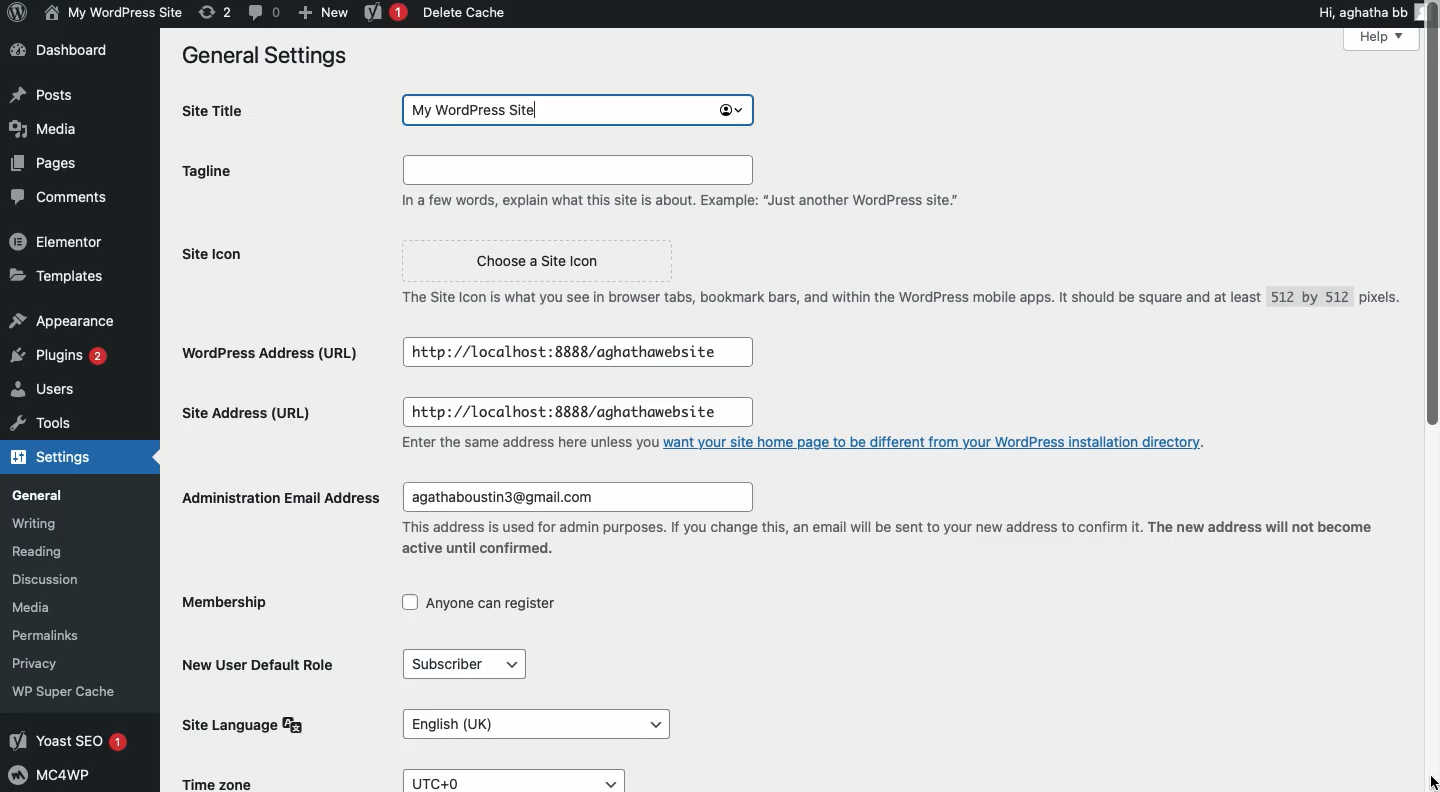 The image size is (1440, 792). What do you see at coordinates (388, 12) in the screenshot?
I see `Yoast` at bounding box center [388, 12].